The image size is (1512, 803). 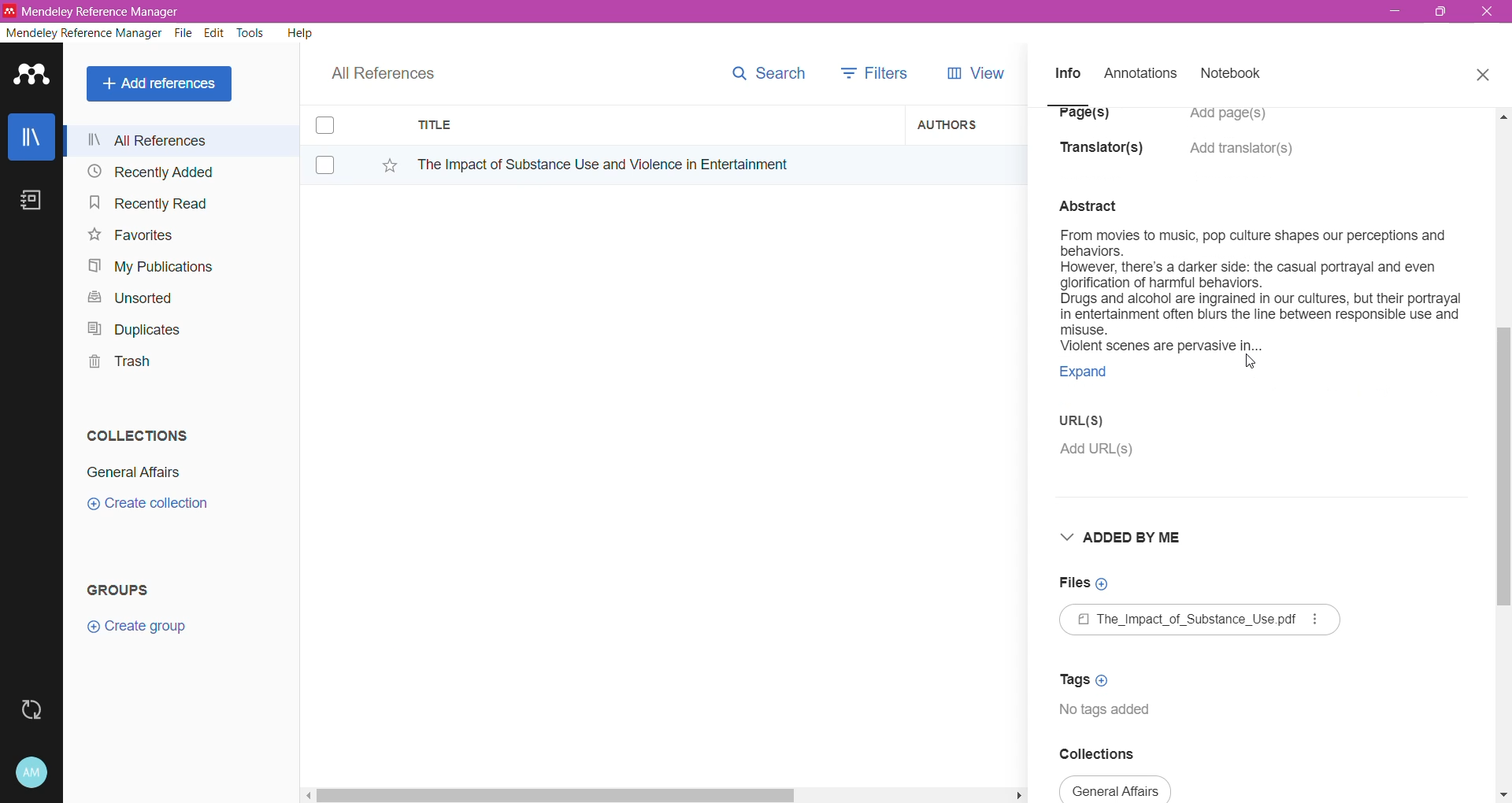 What do you see at coordinates (251, 33) in the screenshot?
I see `Tools` at bounding box center [251, 33].